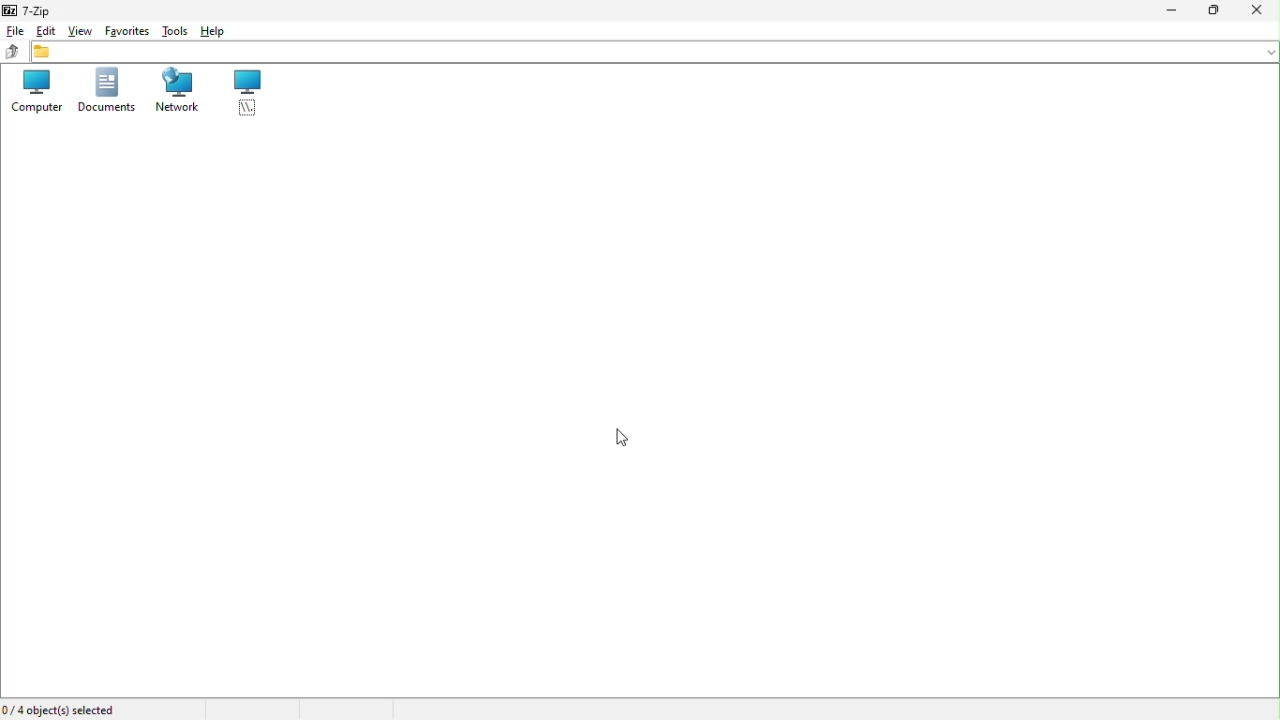 This screenshot has width=1280, height=720. I want to click on Root, so click(249, 97).